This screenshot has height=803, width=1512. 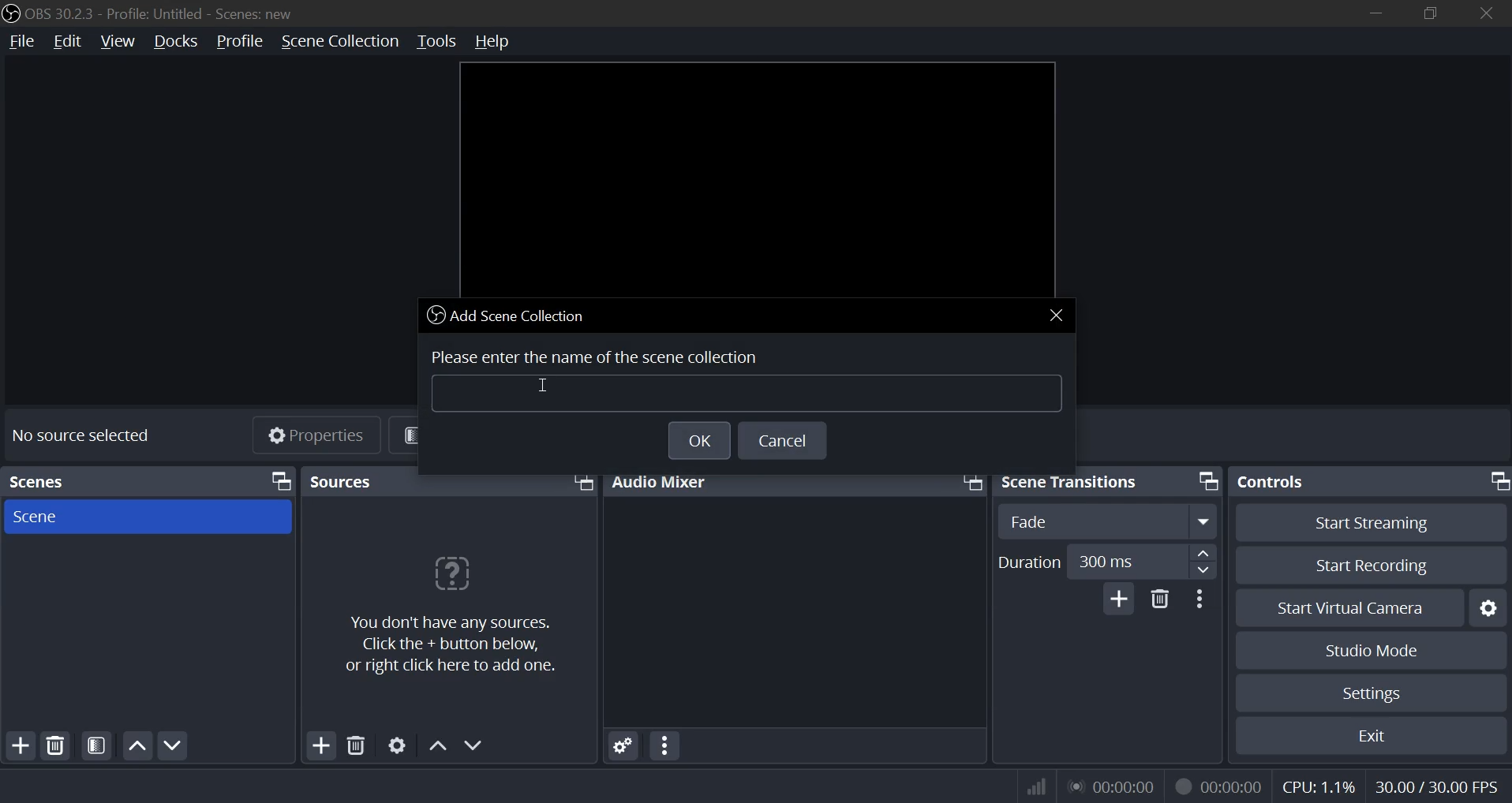 What do you see at coordinates (1371, 523) in the screenshot?
I see `start streaming` at bounding box center [1371, 523].